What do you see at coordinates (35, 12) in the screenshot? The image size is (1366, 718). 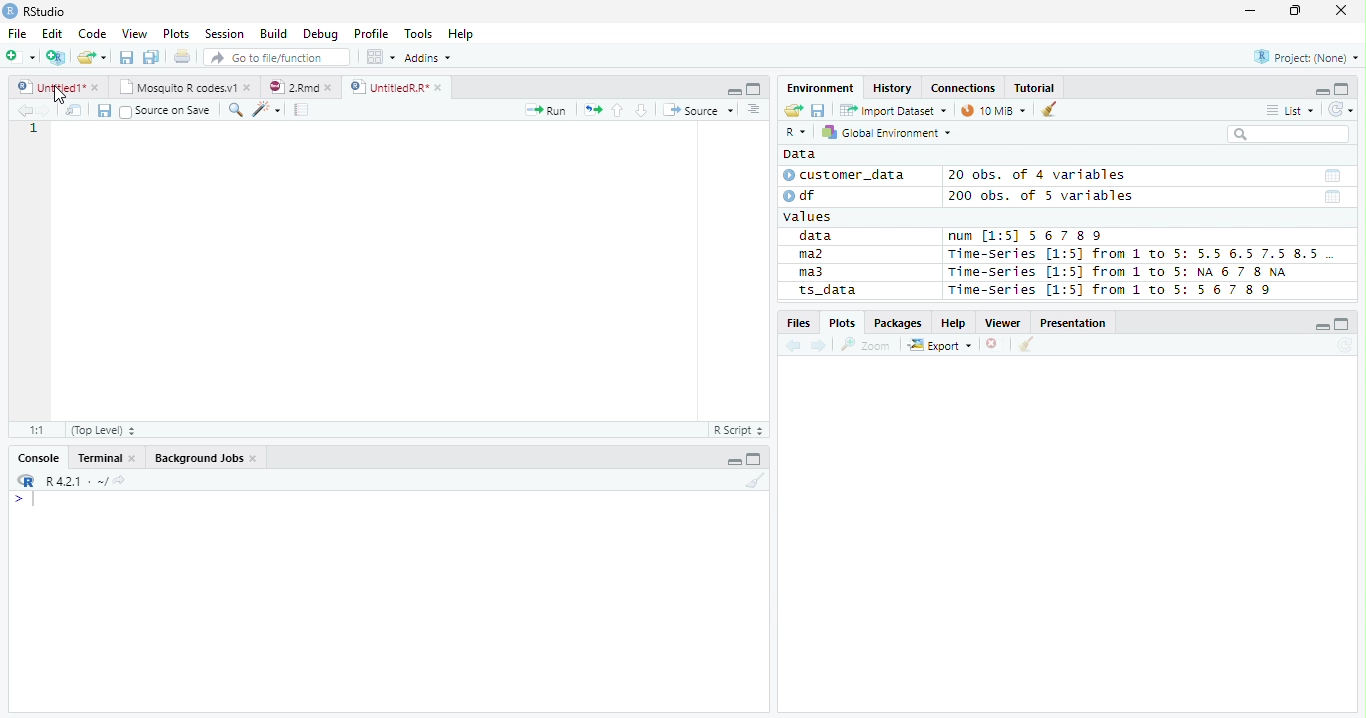 I see `RStudio` at bounding box center [35, 12].